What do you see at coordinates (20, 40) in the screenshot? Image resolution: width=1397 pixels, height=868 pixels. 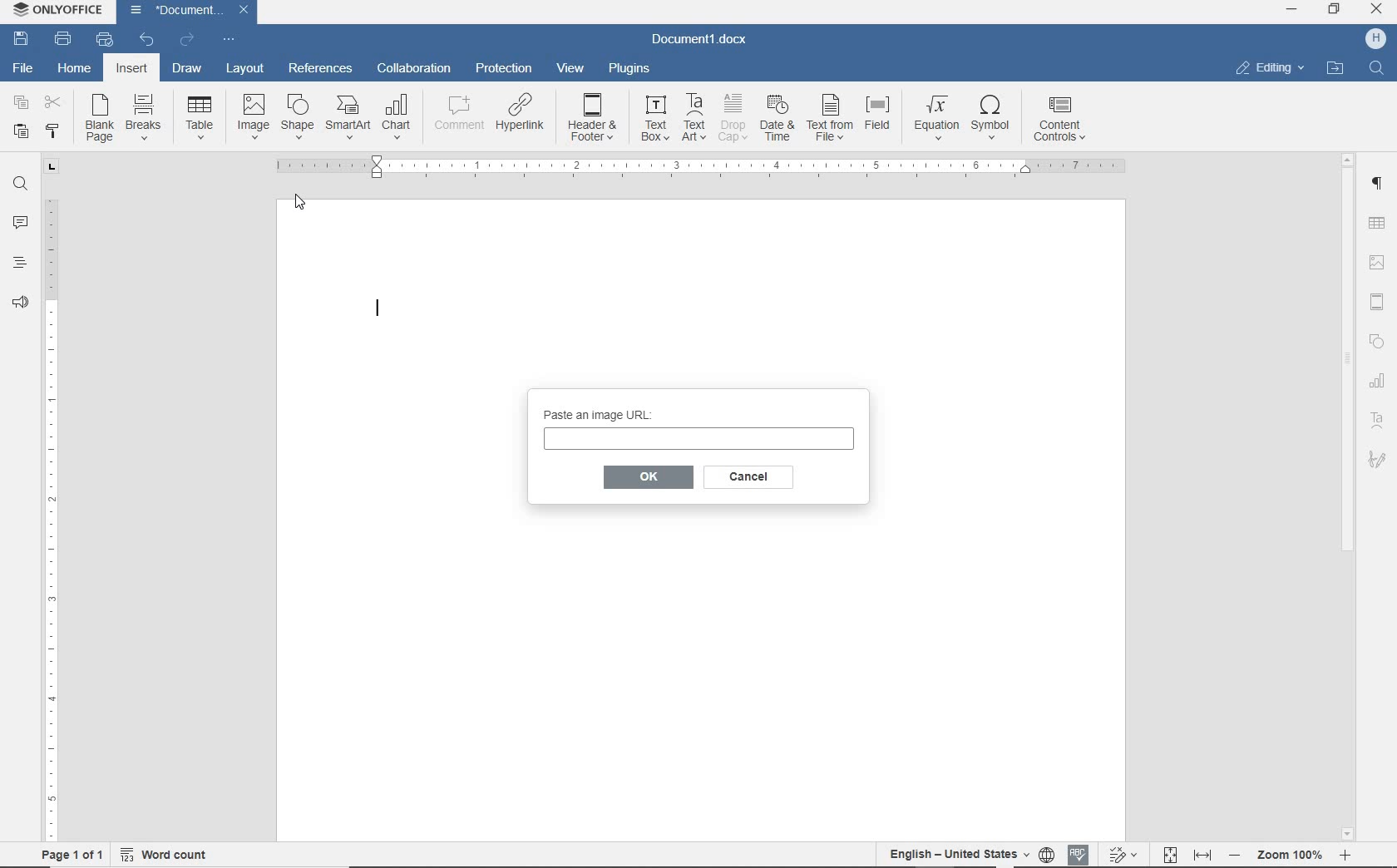 I see `save` at bounding box center [20, 40].